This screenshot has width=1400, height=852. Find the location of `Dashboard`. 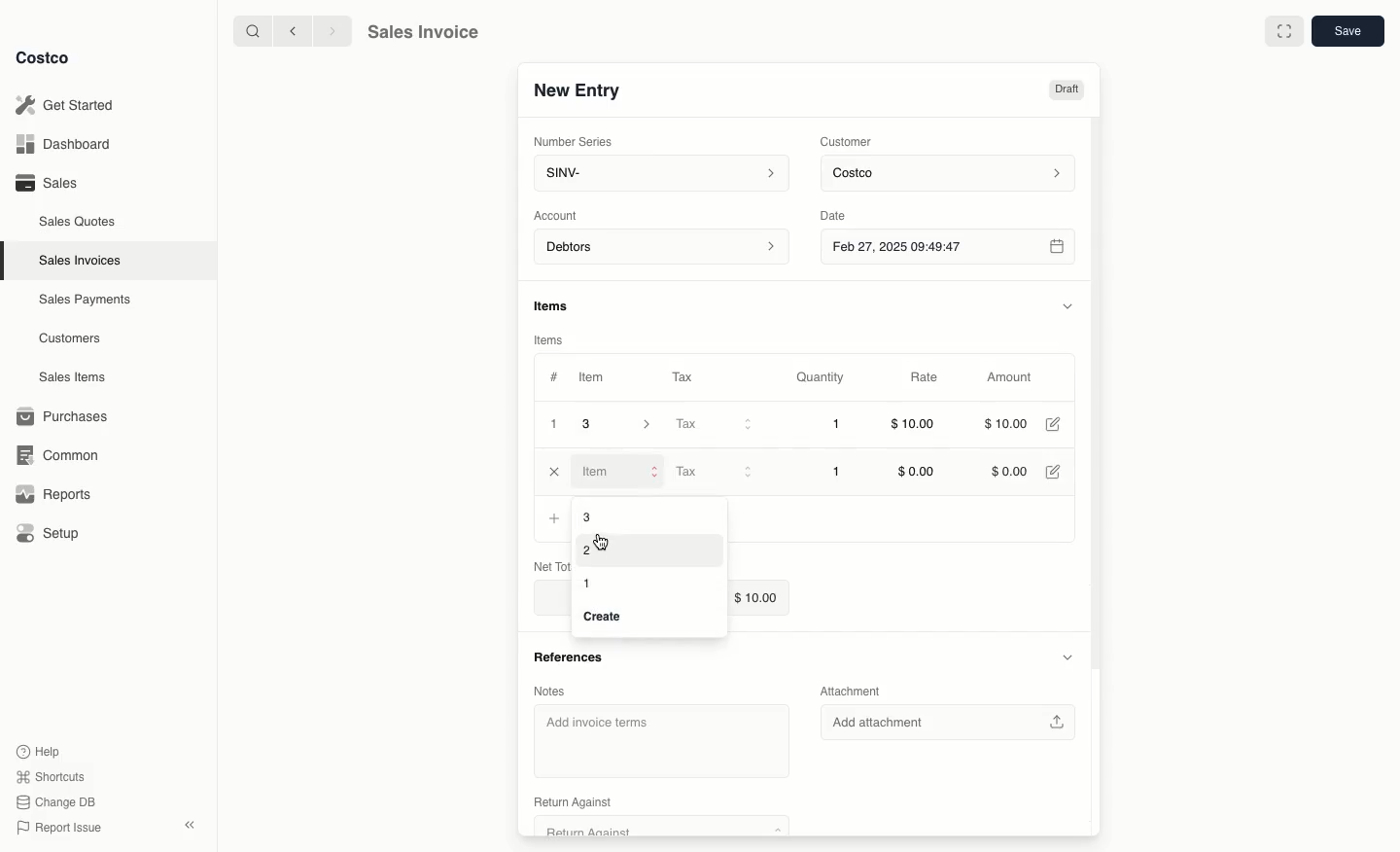

Dashboard is located at coordinates (68, 145).